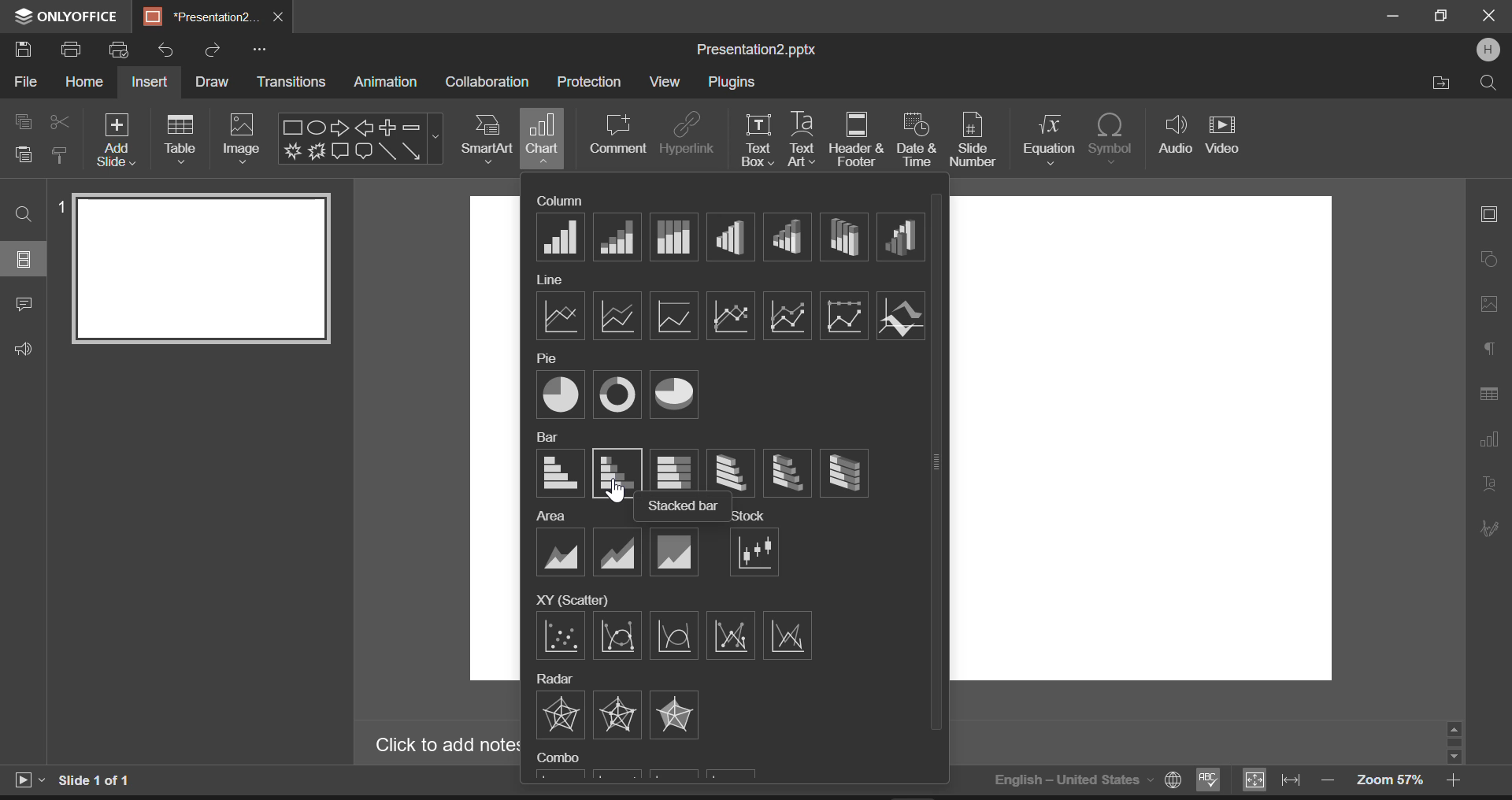 This screenshot has width=1512, height=800. I want to click on Cursor Position, so click(616, 493).